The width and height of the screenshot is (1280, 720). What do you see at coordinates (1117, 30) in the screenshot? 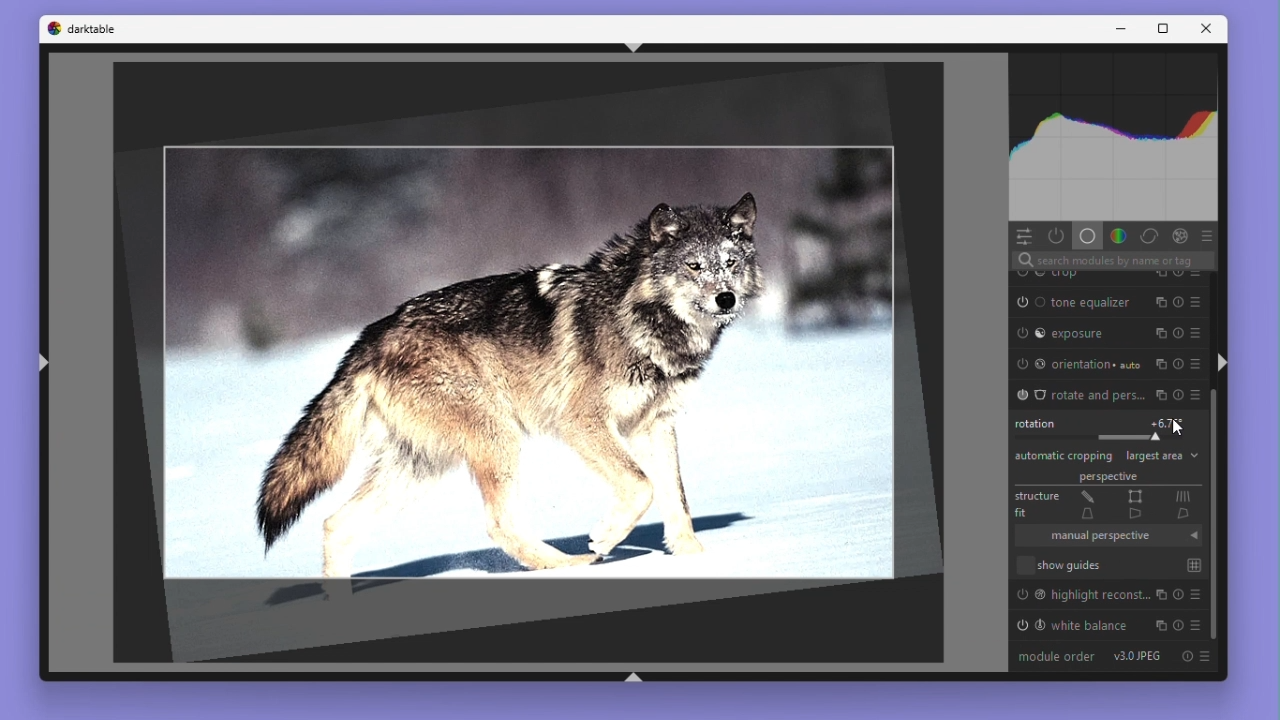
I see `Minimise` at bounding box center [1117, 30].